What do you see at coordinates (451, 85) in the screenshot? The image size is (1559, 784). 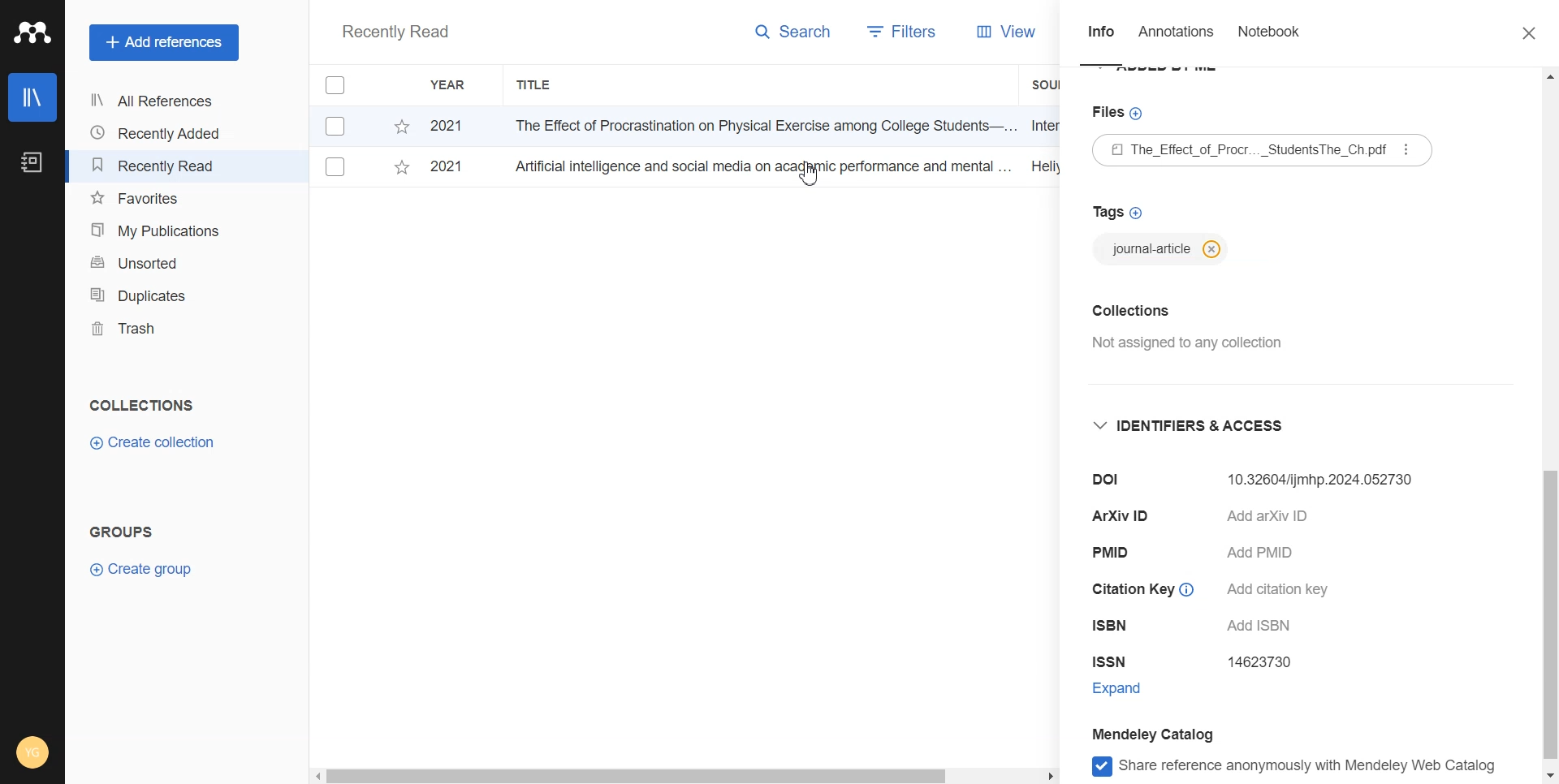 I see `Year` at bounding box center [451, 85].